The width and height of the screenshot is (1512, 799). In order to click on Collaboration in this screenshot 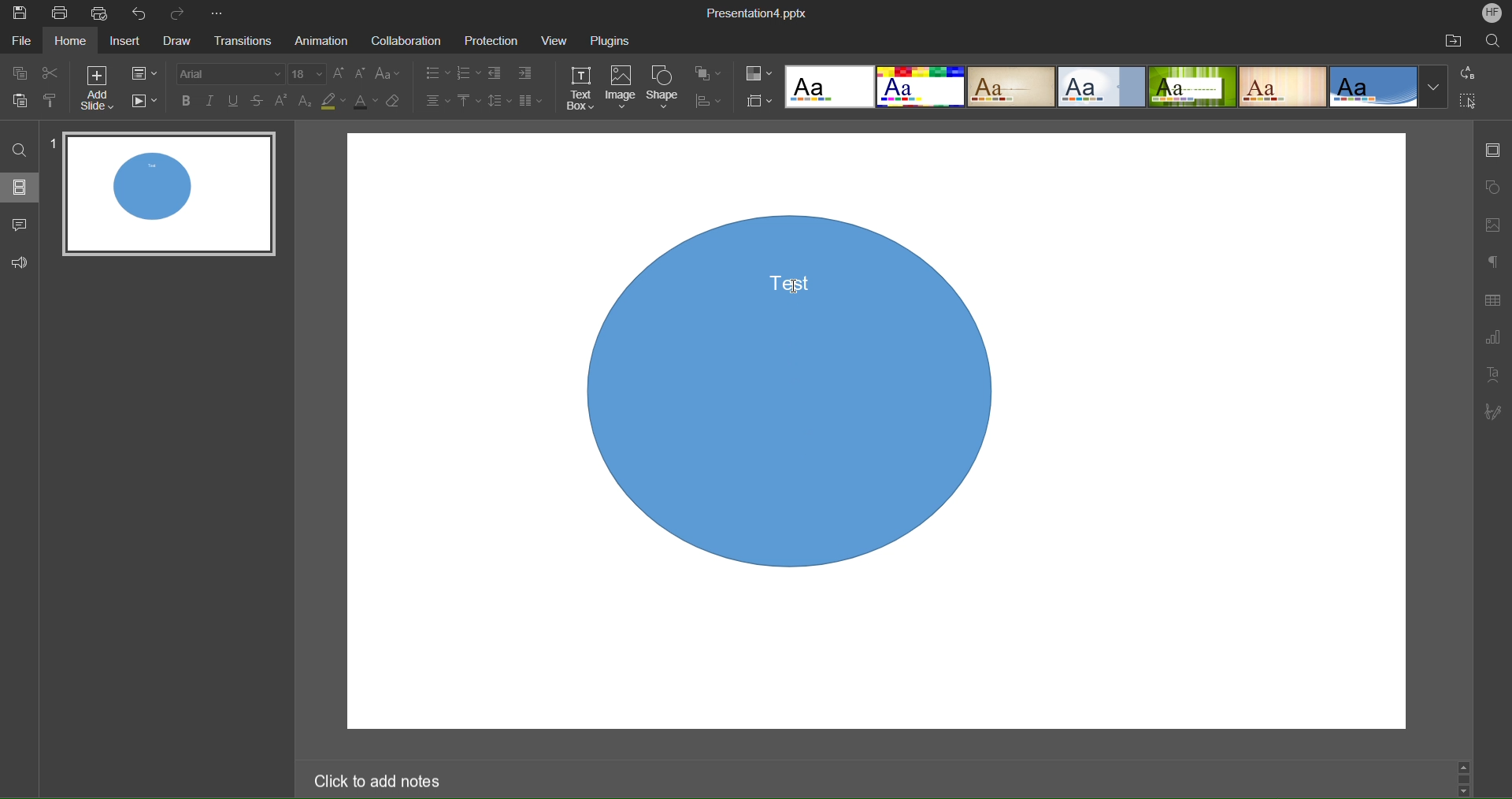, I will do `click(408, 39)`.